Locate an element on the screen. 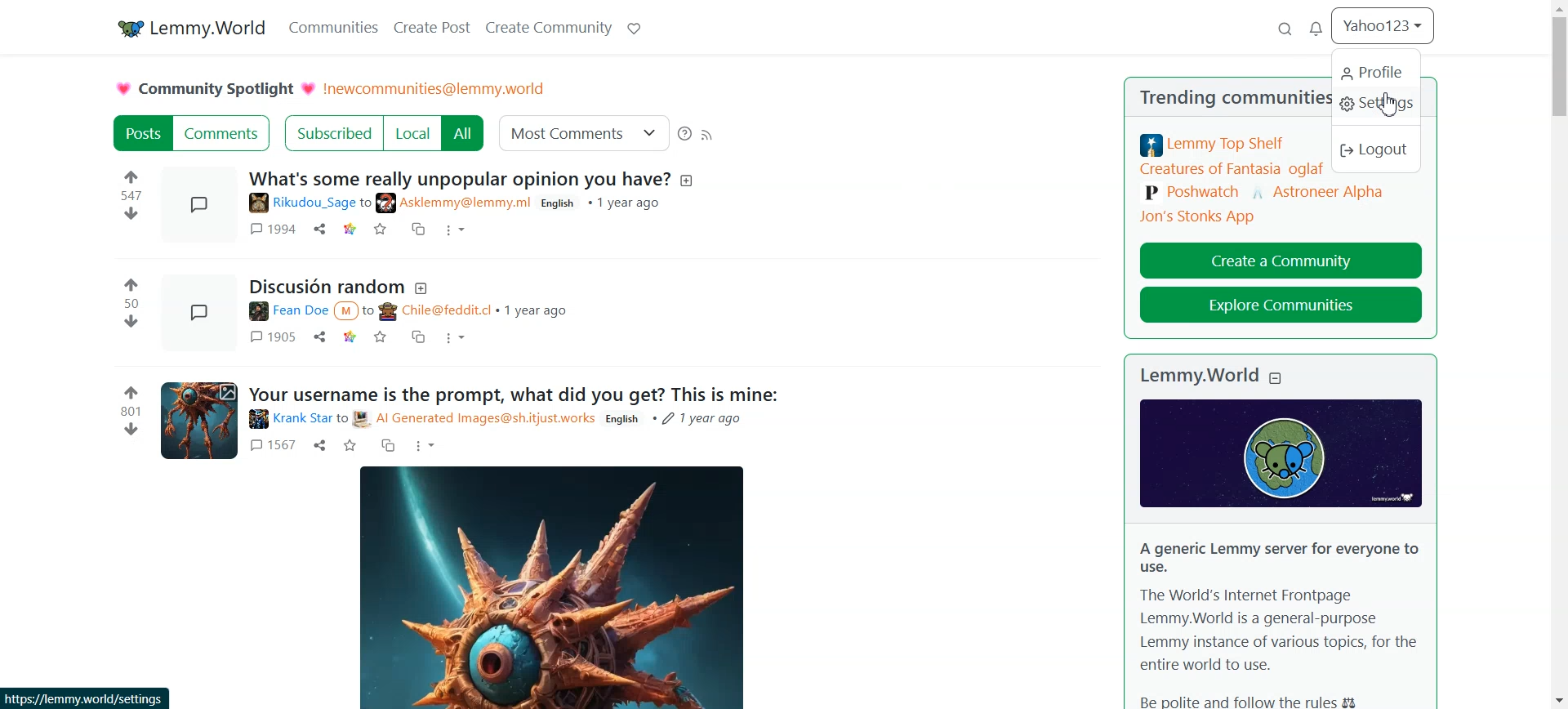 The width and height of the screenshot is (1568, 709). yahoo123 is located at coordinates (1384, 25).